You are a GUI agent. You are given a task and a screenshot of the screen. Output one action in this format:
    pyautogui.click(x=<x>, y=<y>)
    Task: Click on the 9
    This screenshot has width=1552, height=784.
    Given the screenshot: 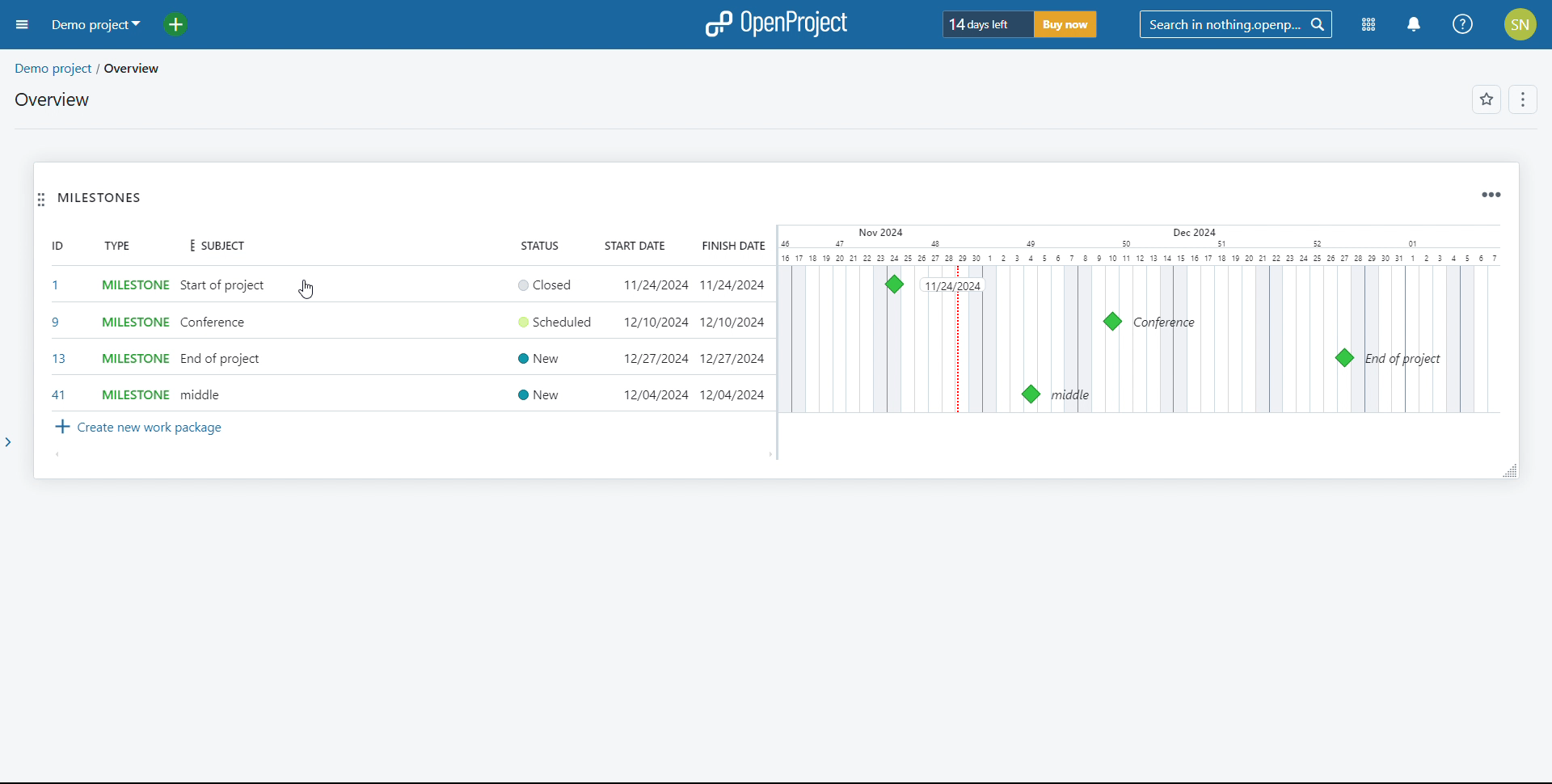 What is the action you would take?
    pyautogui.click(x=53, y=318)
    